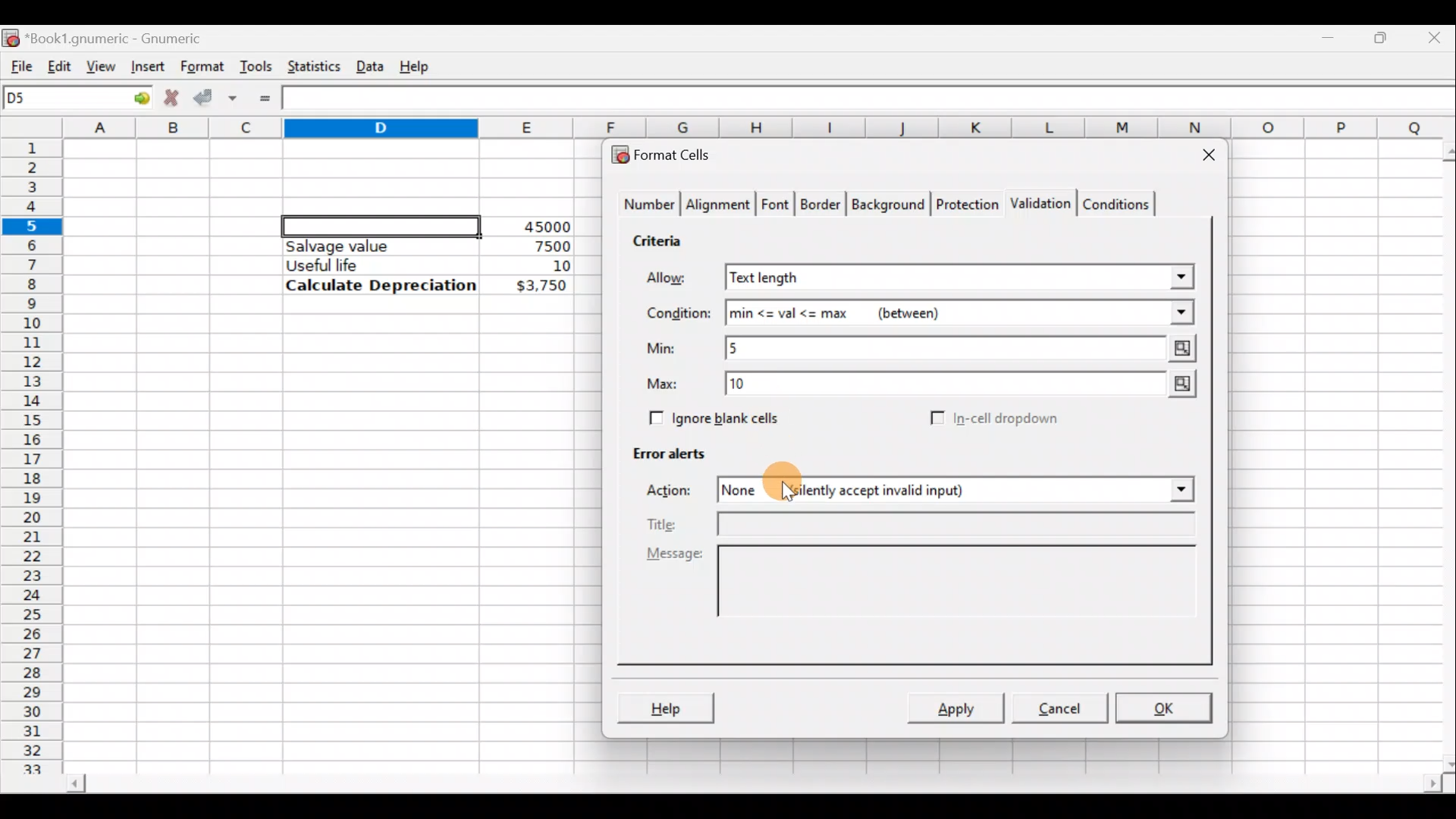 This screenshot has height=819, width=1456. Describe the element at coordinates (265, 99) in the screenshot. I see `Enter formula` at that location.